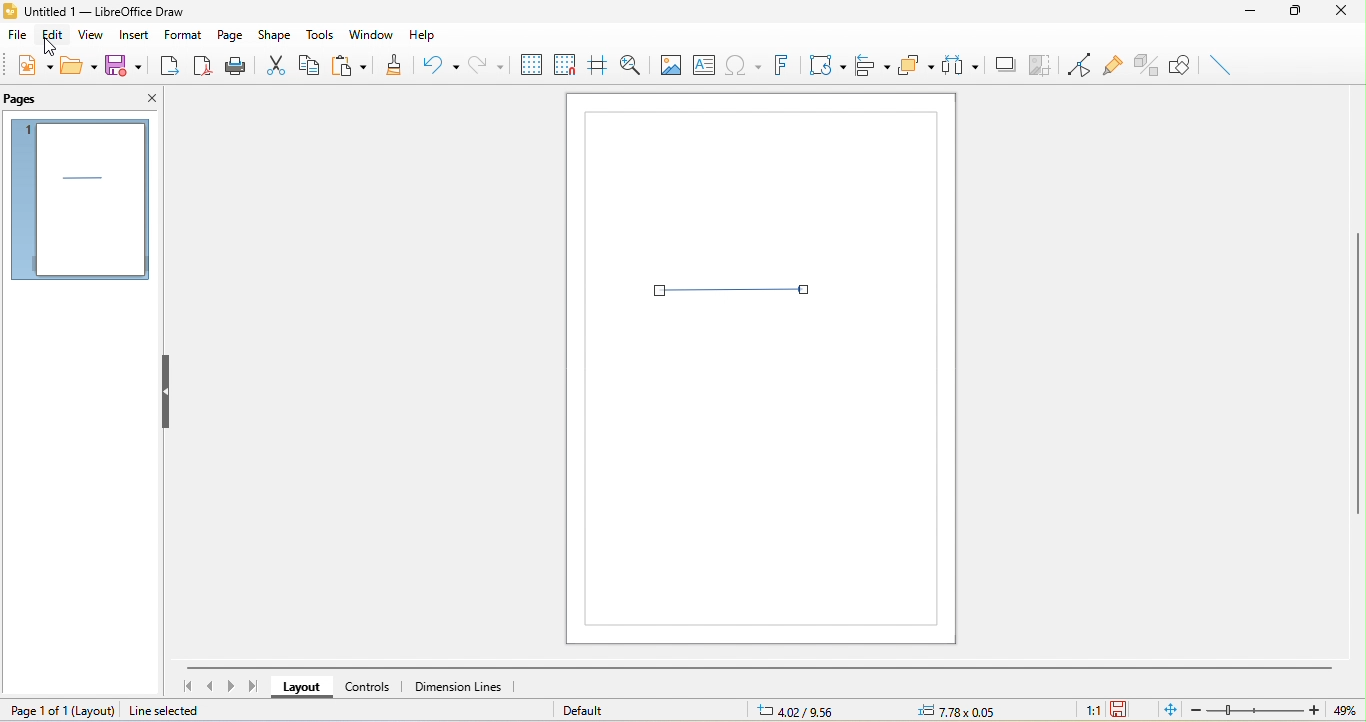 This screenshot has height=722, width=1366. Describe the element at coordinates (19, 34) in the screenshot. I see `file` at that location.